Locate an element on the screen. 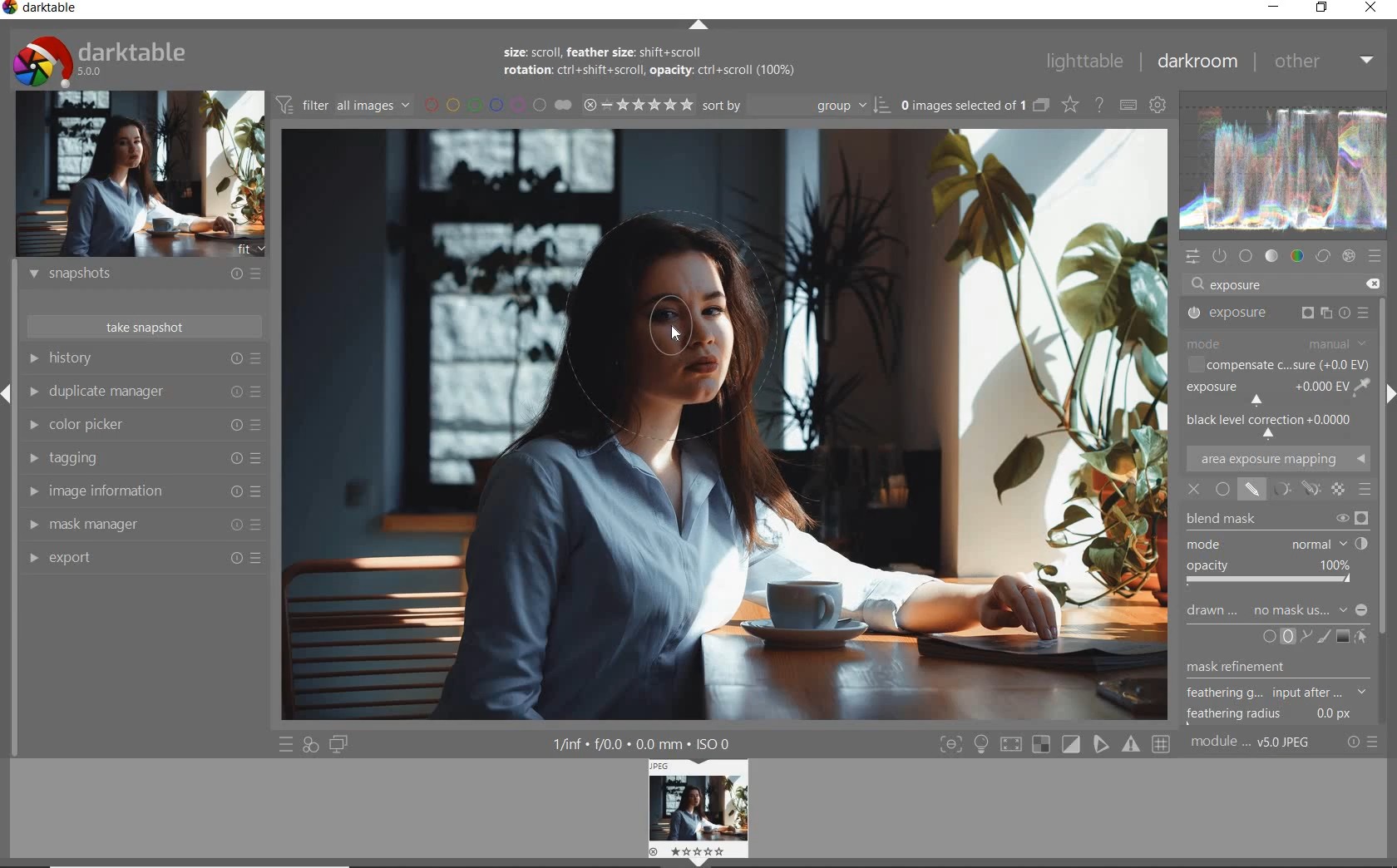 The image size is (1397, 868). enable online help is located at coordinates (1100, 105).